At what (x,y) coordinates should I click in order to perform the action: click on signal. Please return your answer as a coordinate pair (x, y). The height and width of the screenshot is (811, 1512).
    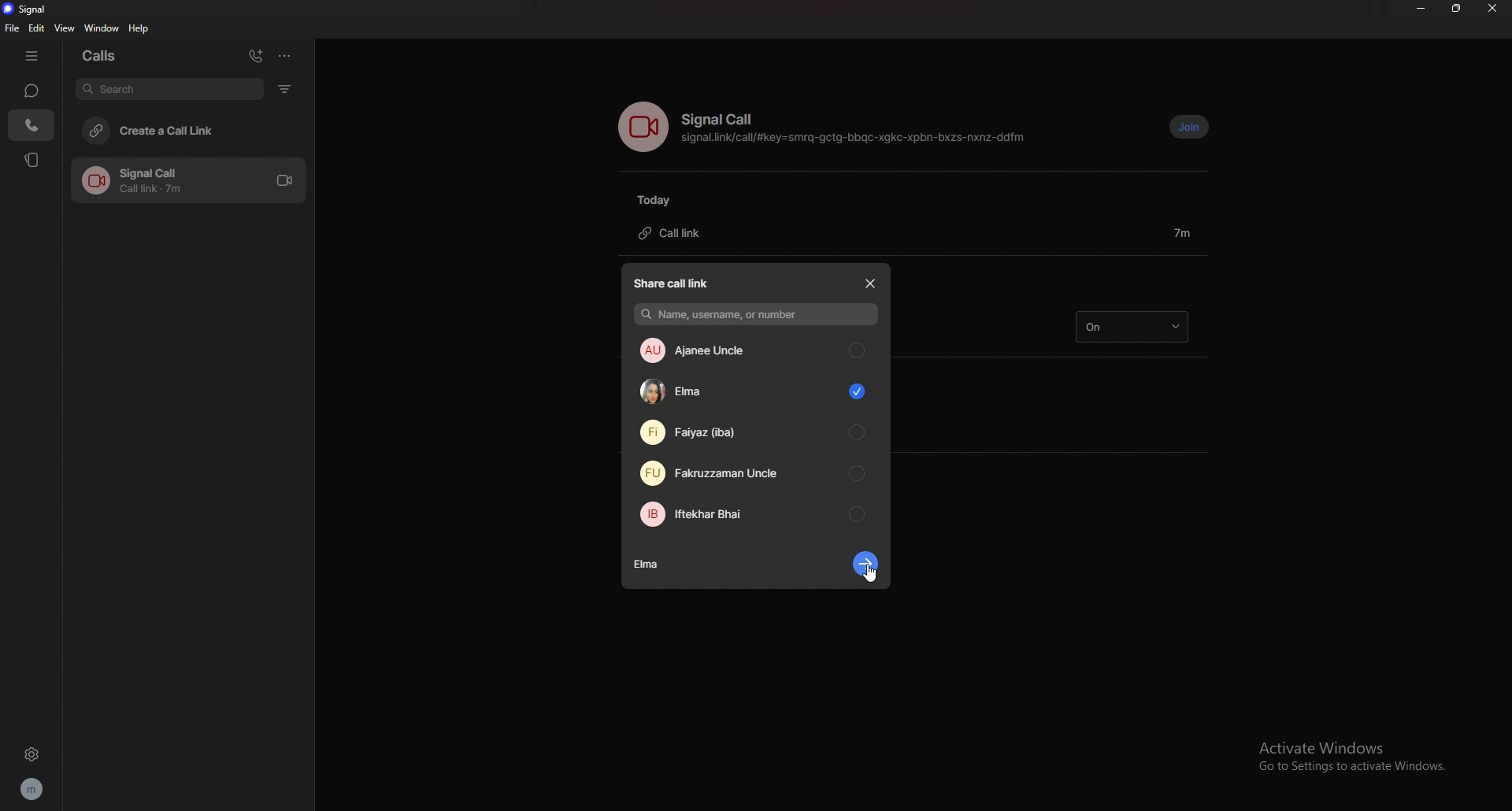
    Looking at the image, I should click on (31, 9).